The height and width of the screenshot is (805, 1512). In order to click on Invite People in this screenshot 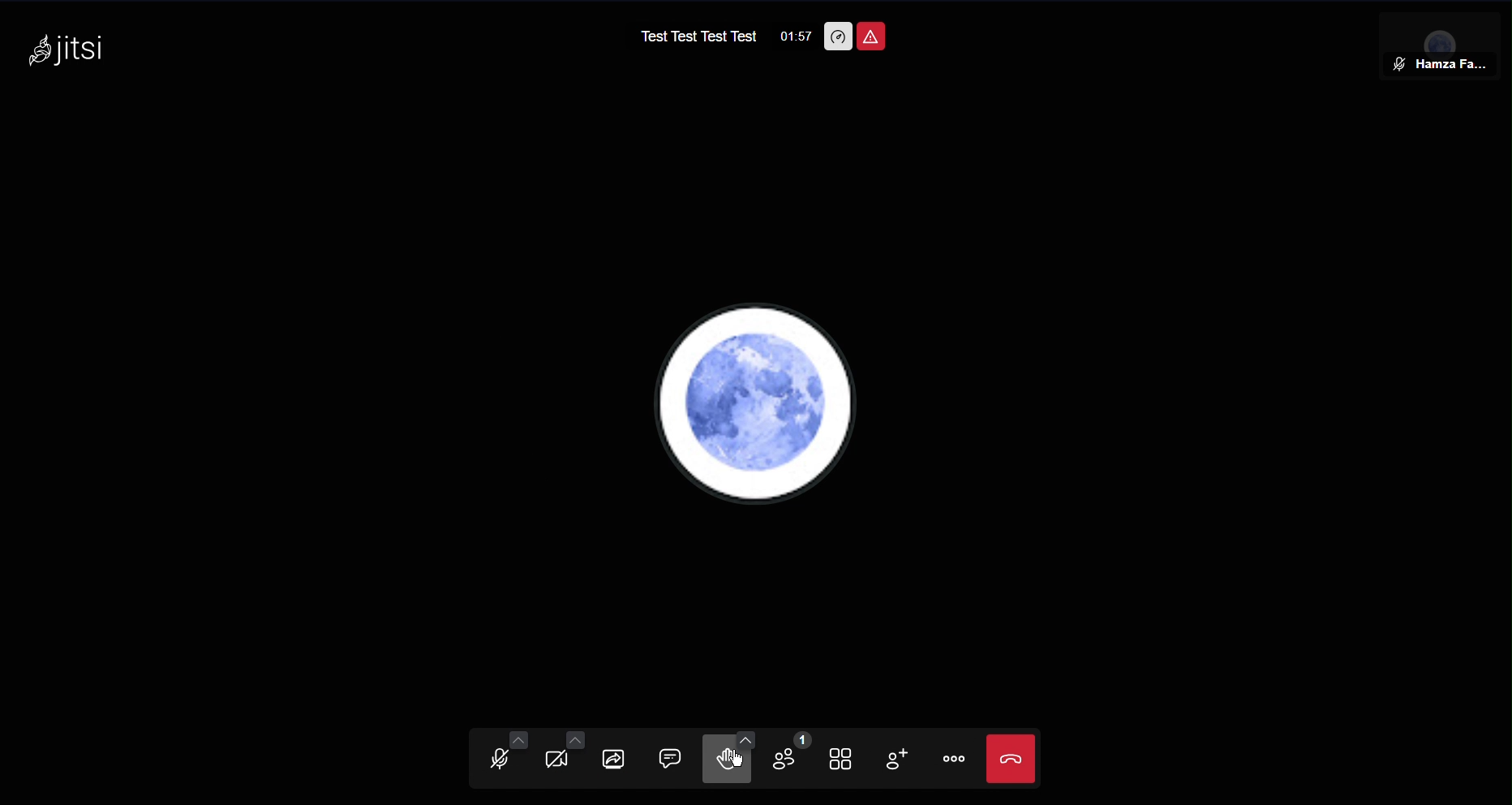, I will do `click(908, 757)`.